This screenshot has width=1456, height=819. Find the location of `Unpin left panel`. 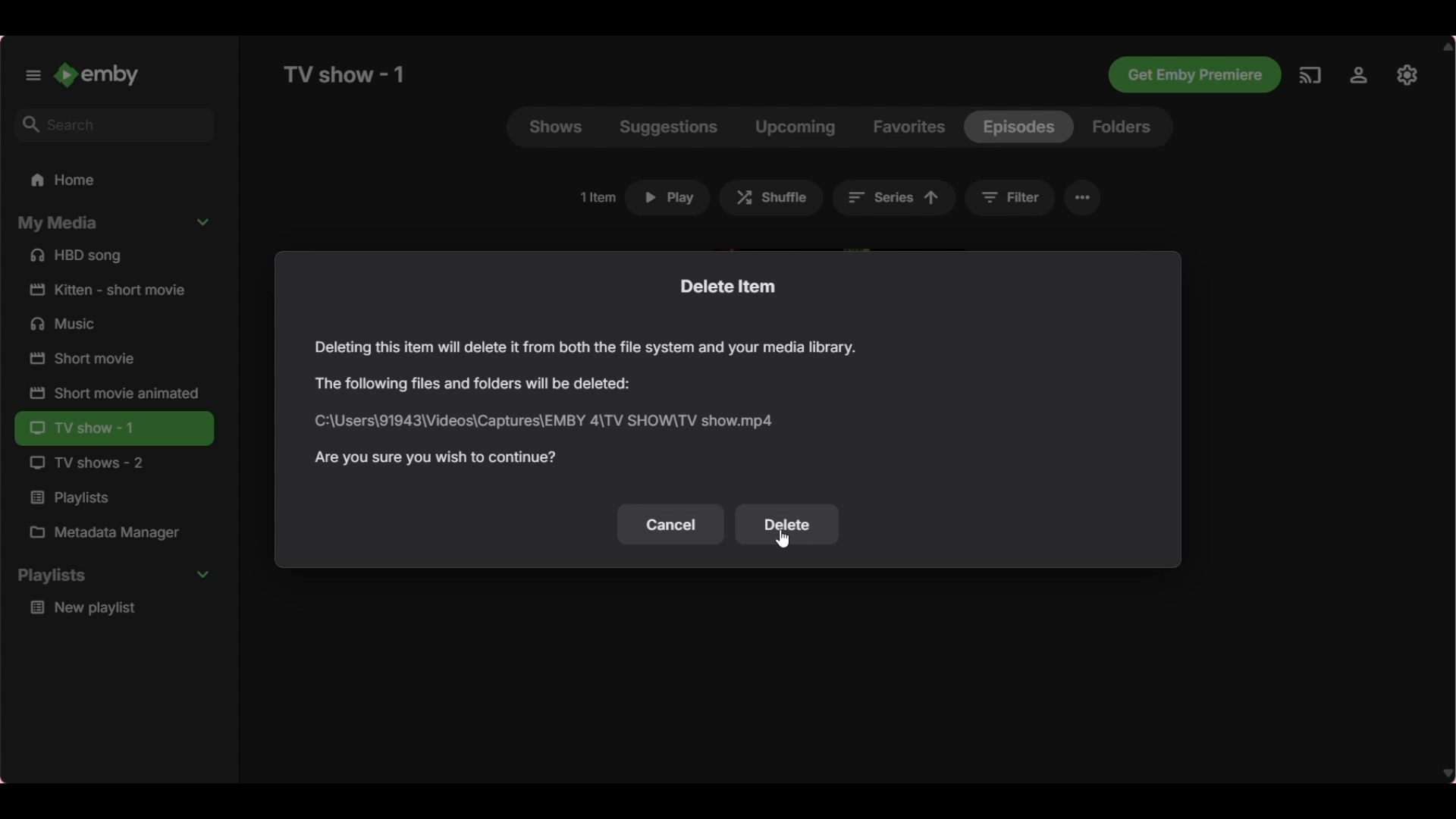

Unpin left panel is located at coordinates (33, 75).